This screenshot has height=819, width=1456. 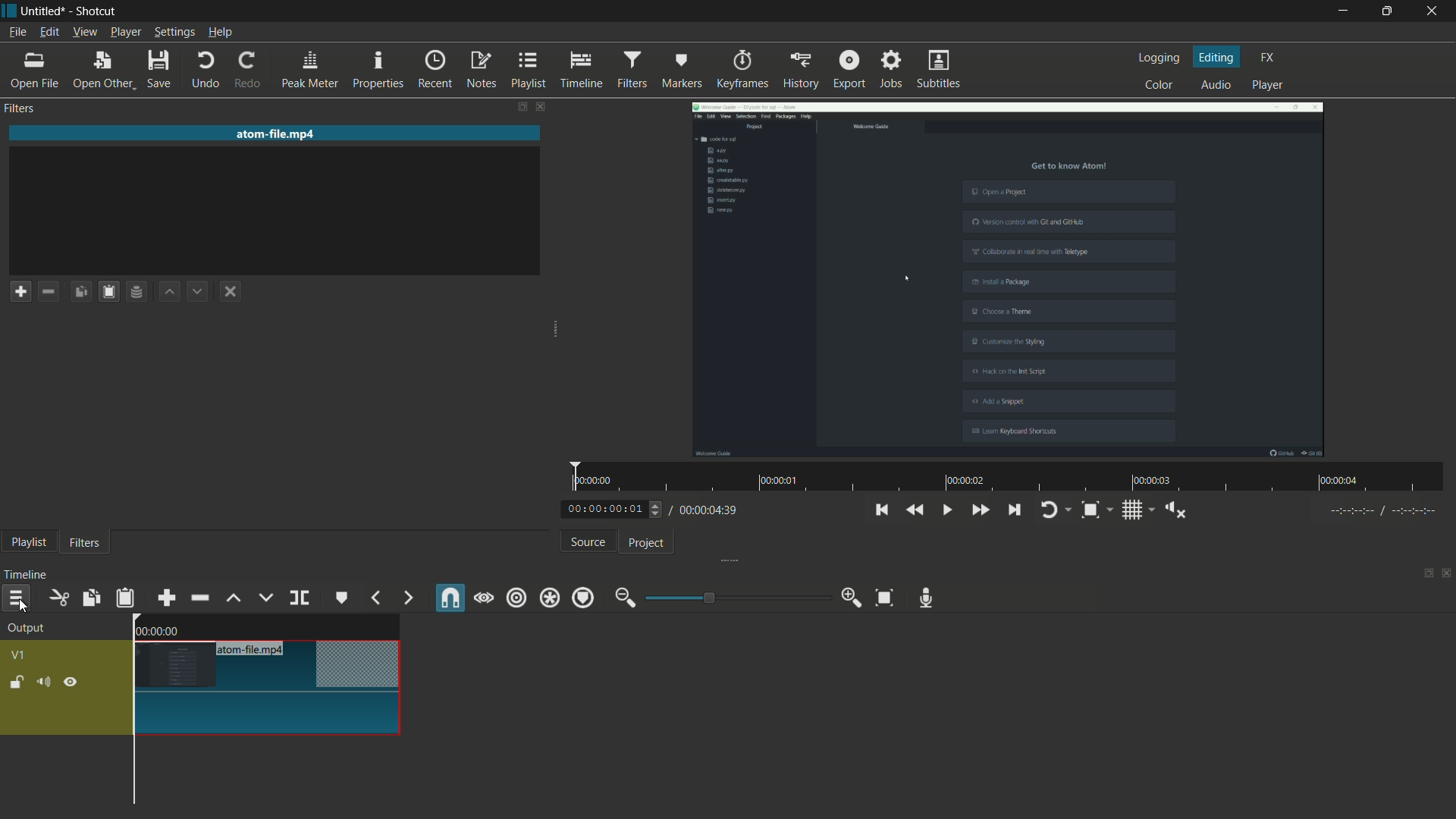 I want to click on keyframes, so click(x=742, y=68).